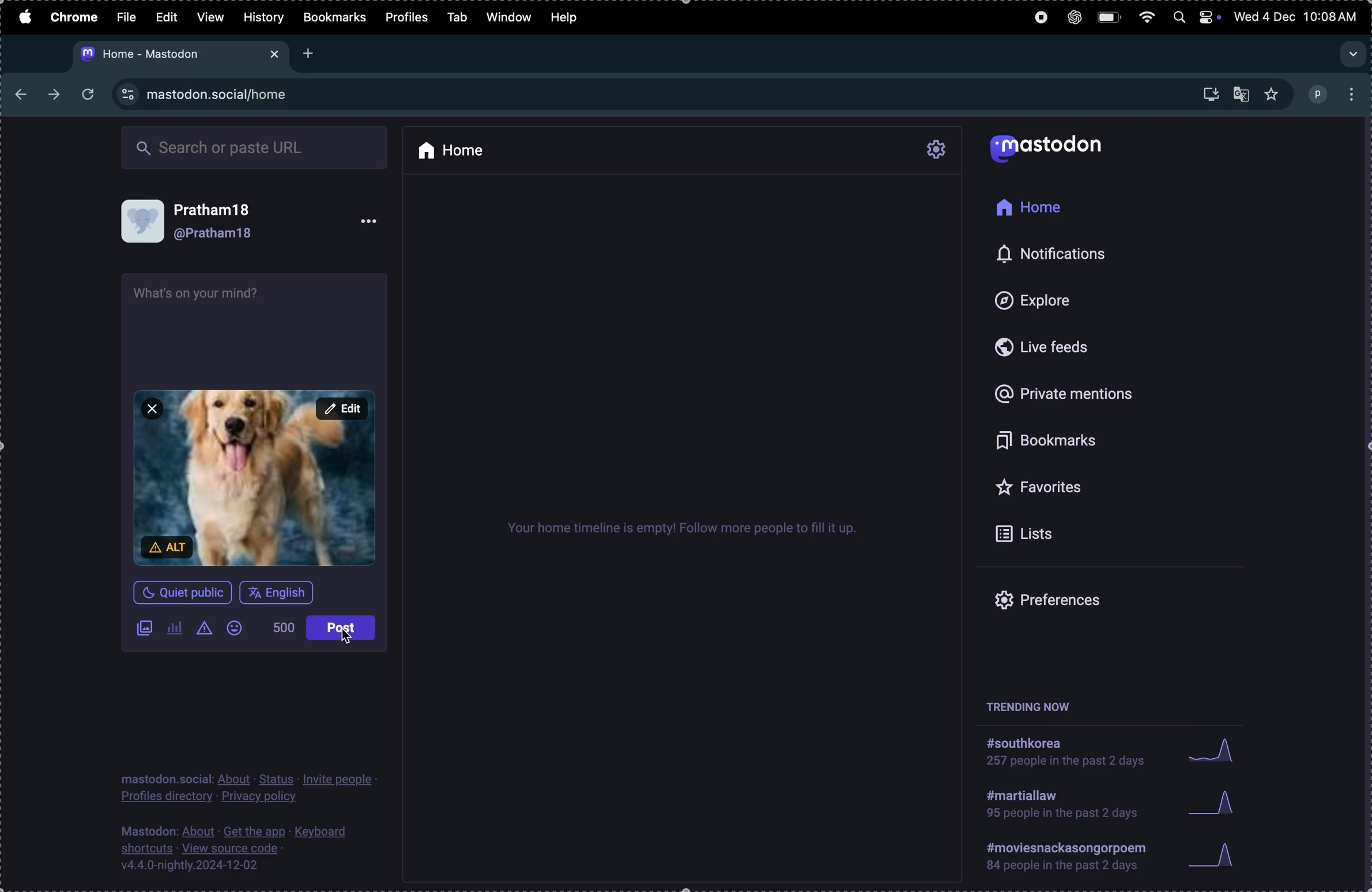 This screenshot has width=1372, height=892. What do you see at coordinates (369, 219) in the screenshot?
I see `more` at bounding box center [369, 219].